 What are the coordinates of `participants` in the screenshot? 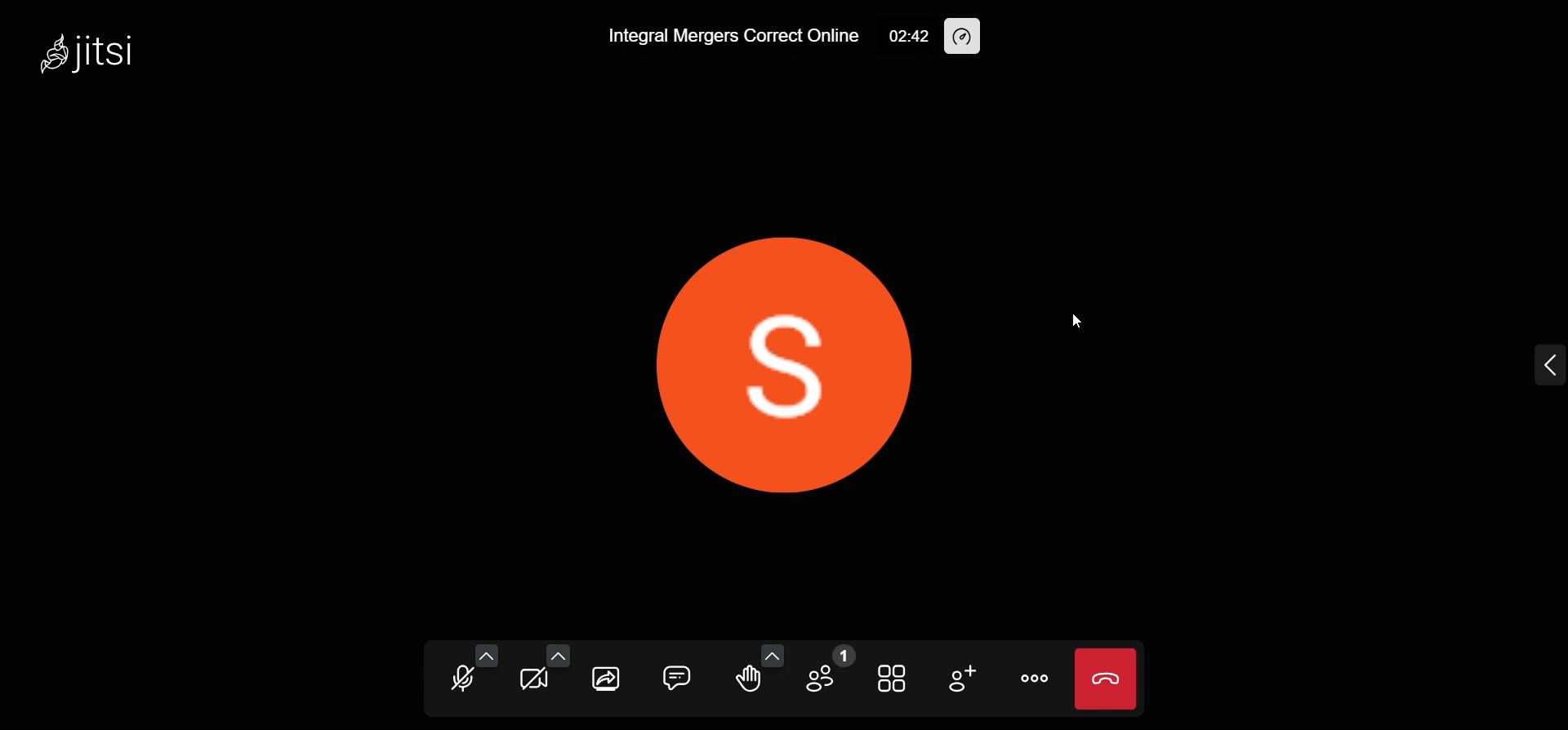 It's located at (827, 674).